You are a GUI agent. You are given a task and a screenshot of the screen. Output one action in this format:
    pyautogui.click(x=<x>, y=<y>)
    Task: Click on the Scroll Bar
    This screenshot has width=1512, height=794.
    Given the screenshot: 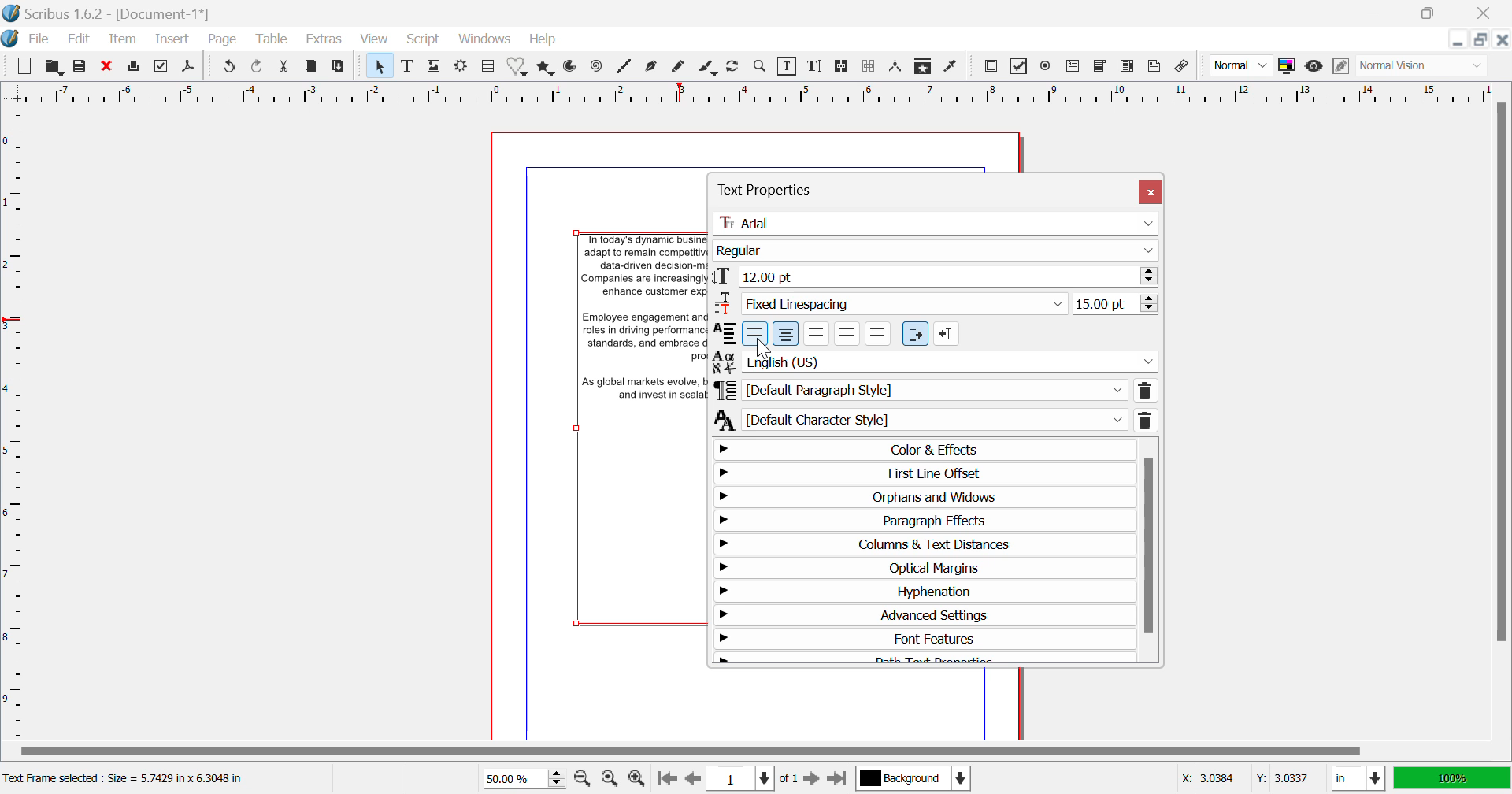 What is the action you would take?
    pyautogui.click(x=1148, y=550)
    